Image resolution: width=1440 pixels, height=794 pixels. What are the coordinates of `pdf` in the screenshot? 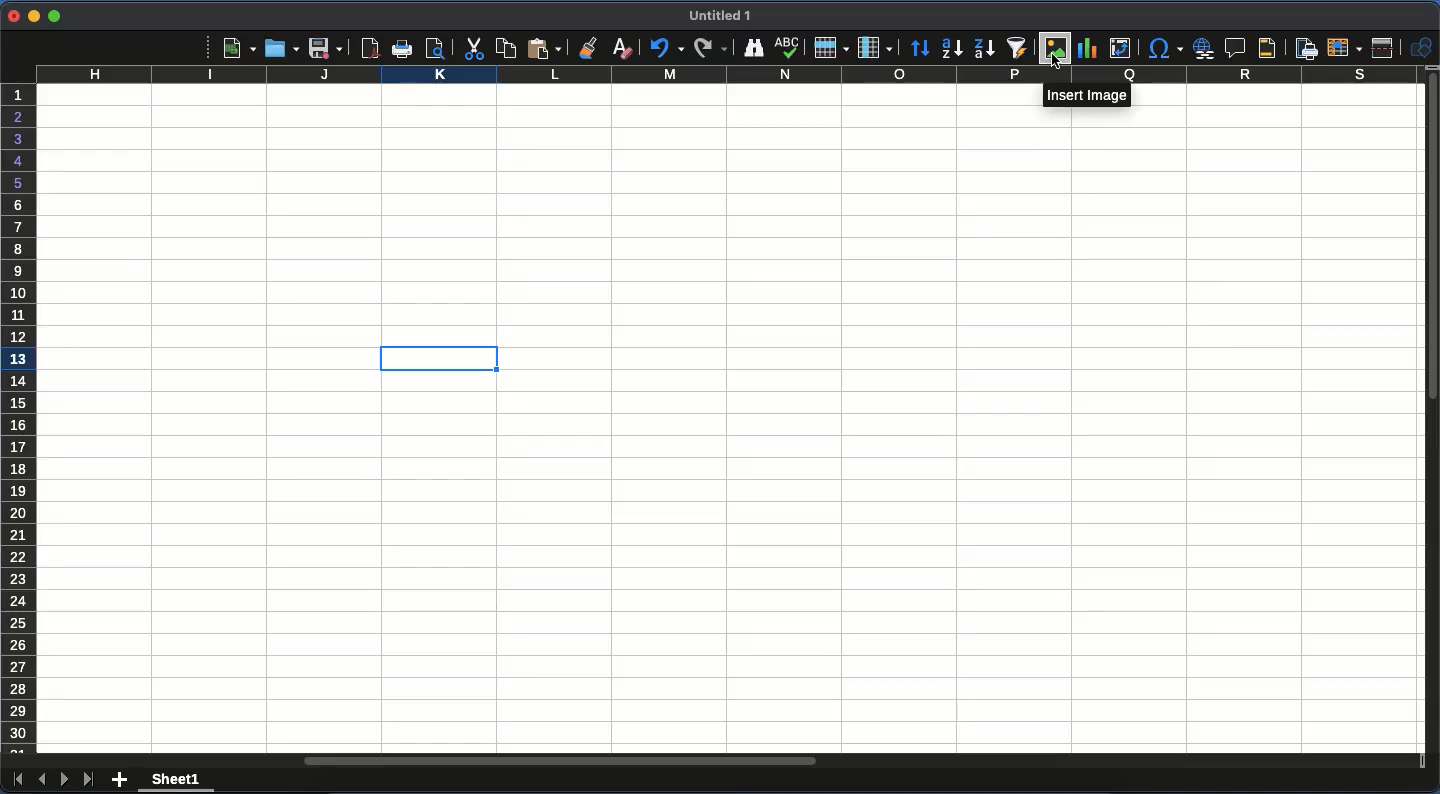 It's located at (371, 48).